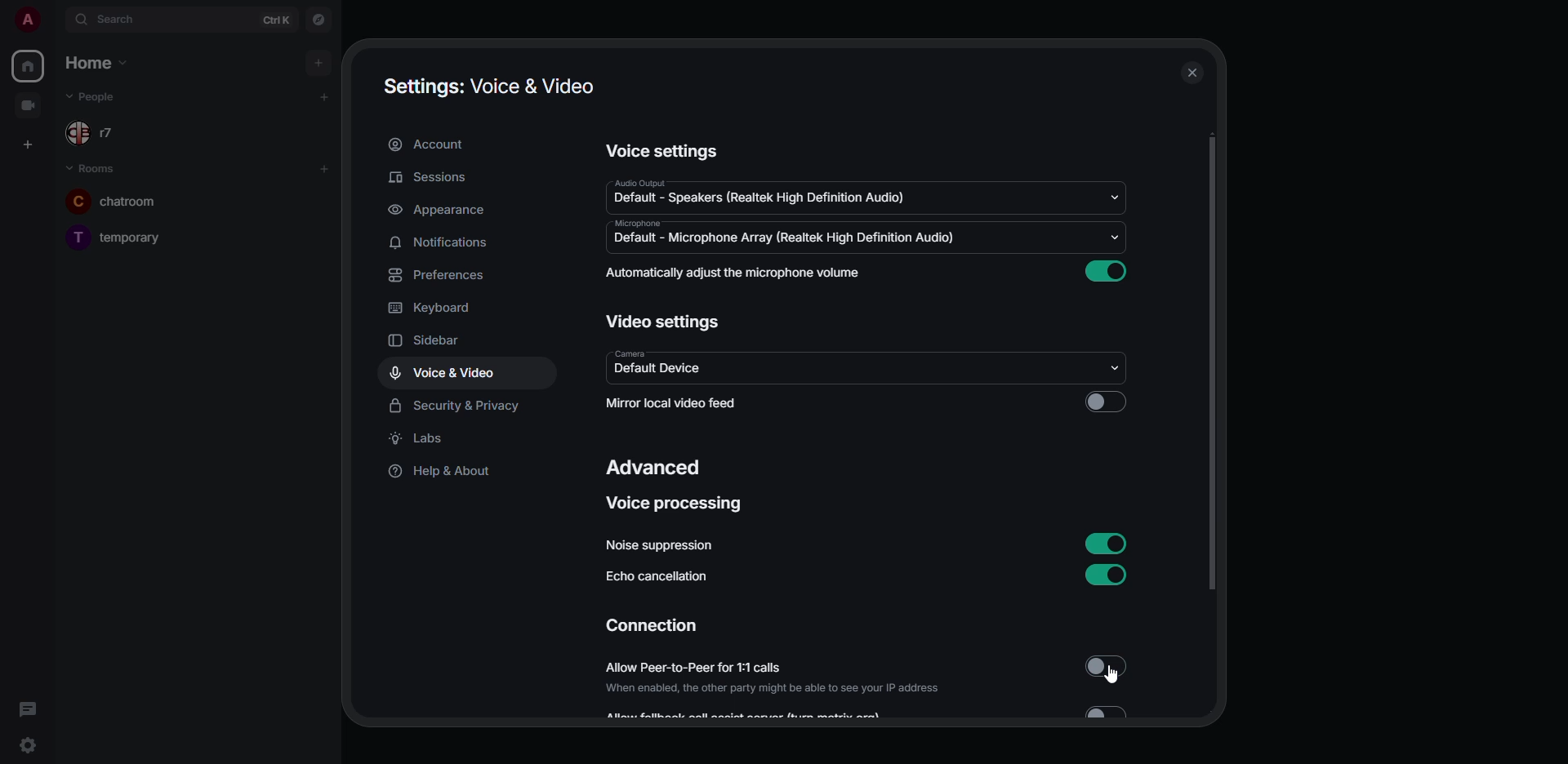 This screenshot has height=764, width=1568. Describe the element at coordinates (93, 62) in the screenshot. I see `home` at that location.